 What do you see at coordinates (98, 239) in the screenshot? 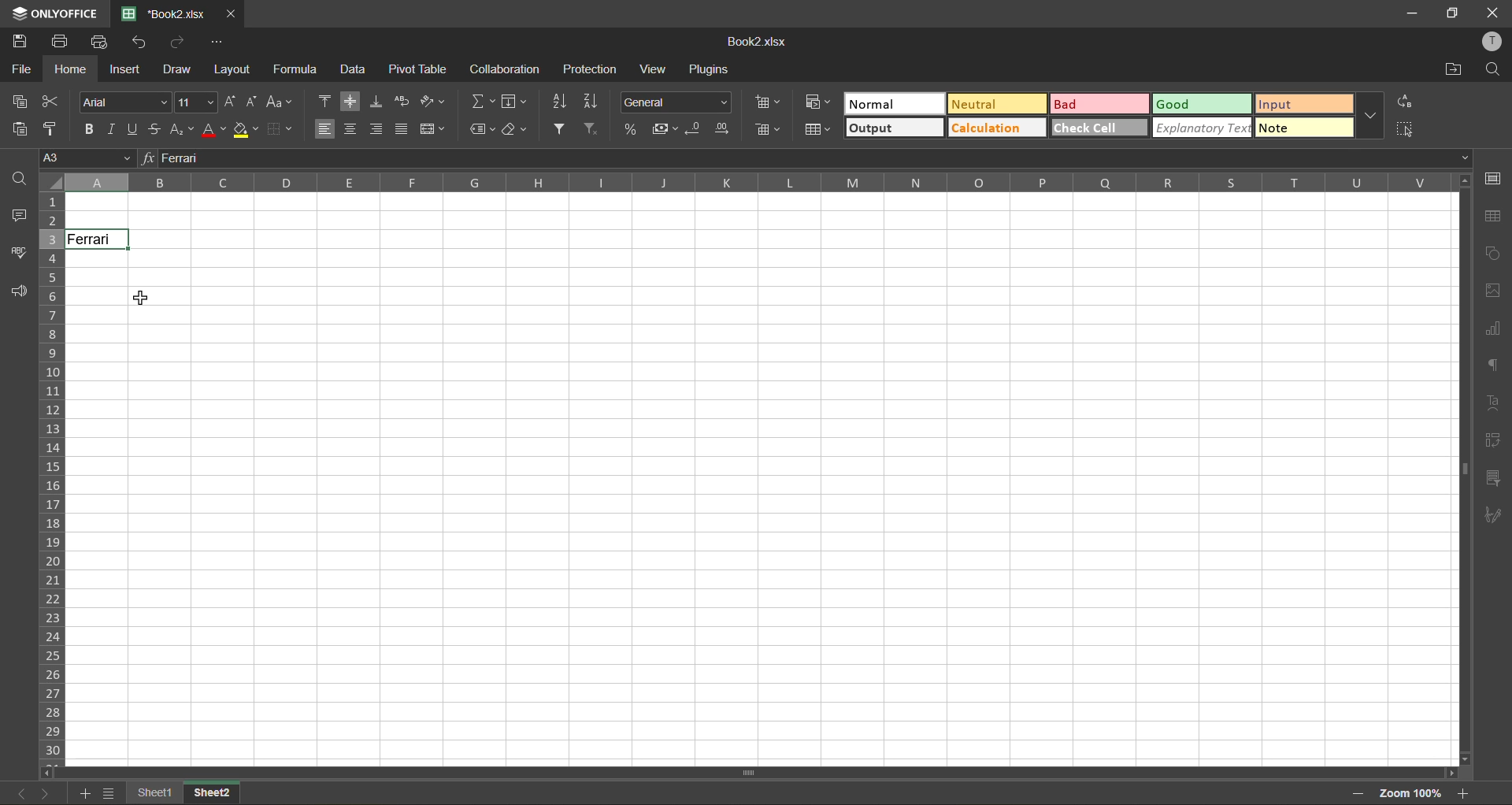
I see `Ferrari` at bounding box center [98, 239].